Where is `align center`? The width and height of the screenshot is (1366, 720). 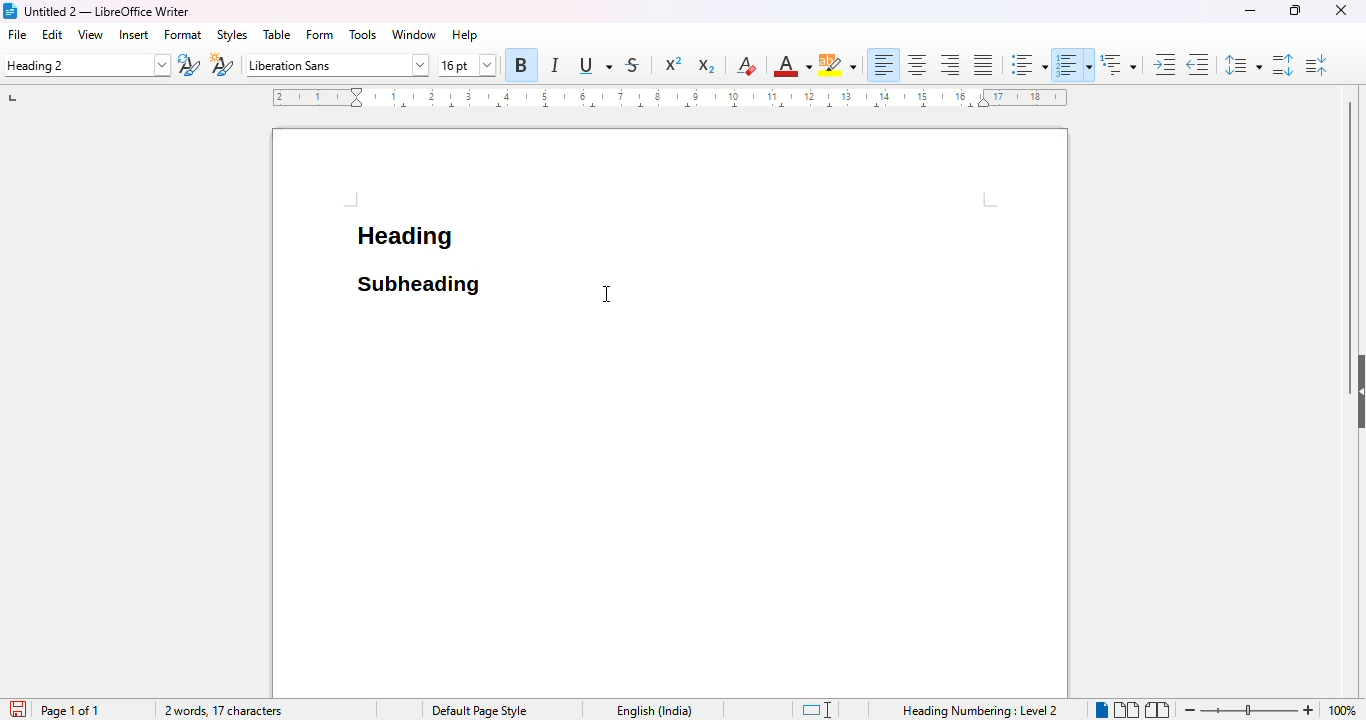 align center is located at coordinates (918, 65).